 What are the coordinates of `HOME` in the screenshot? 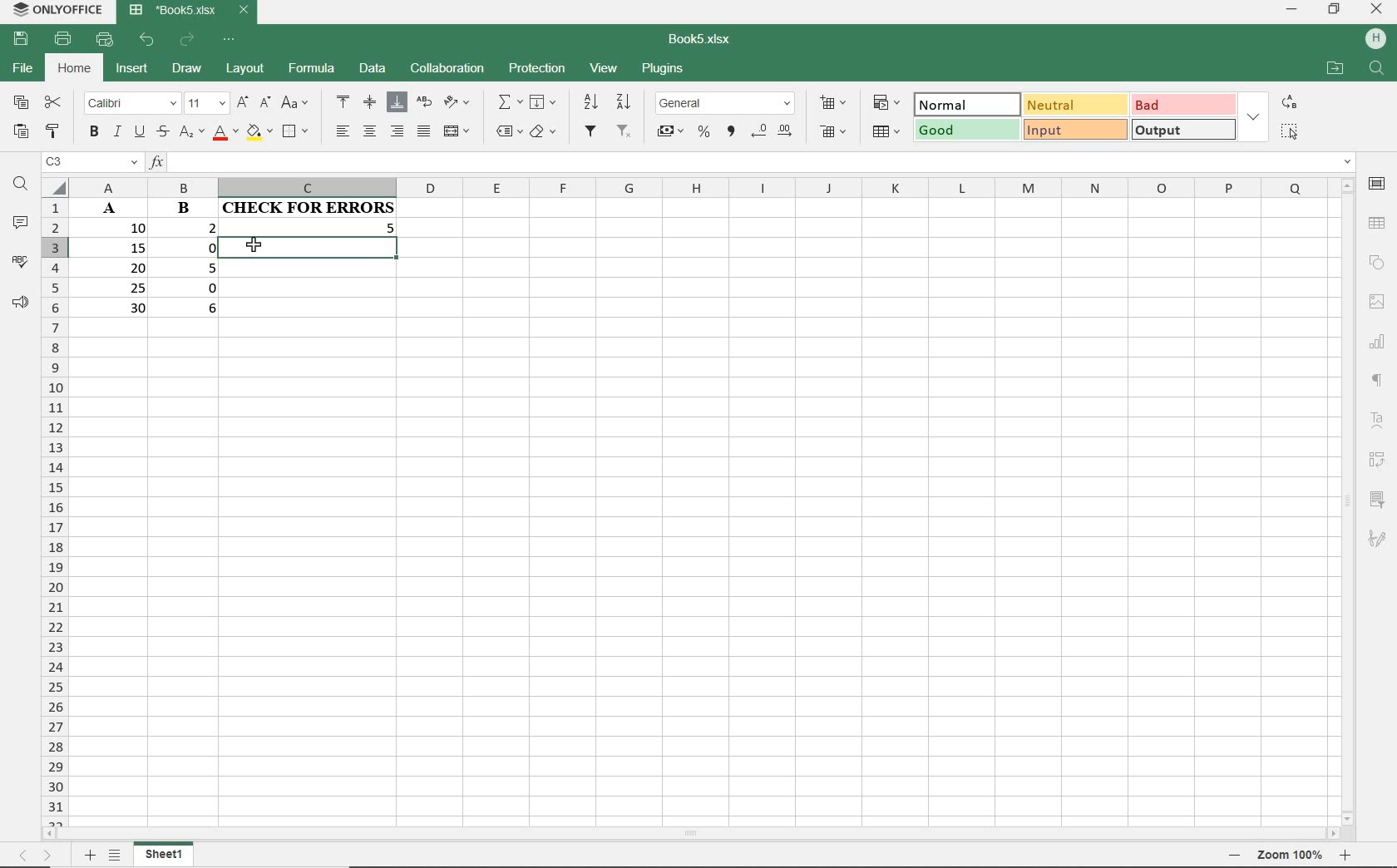 It's located at (74, 71).